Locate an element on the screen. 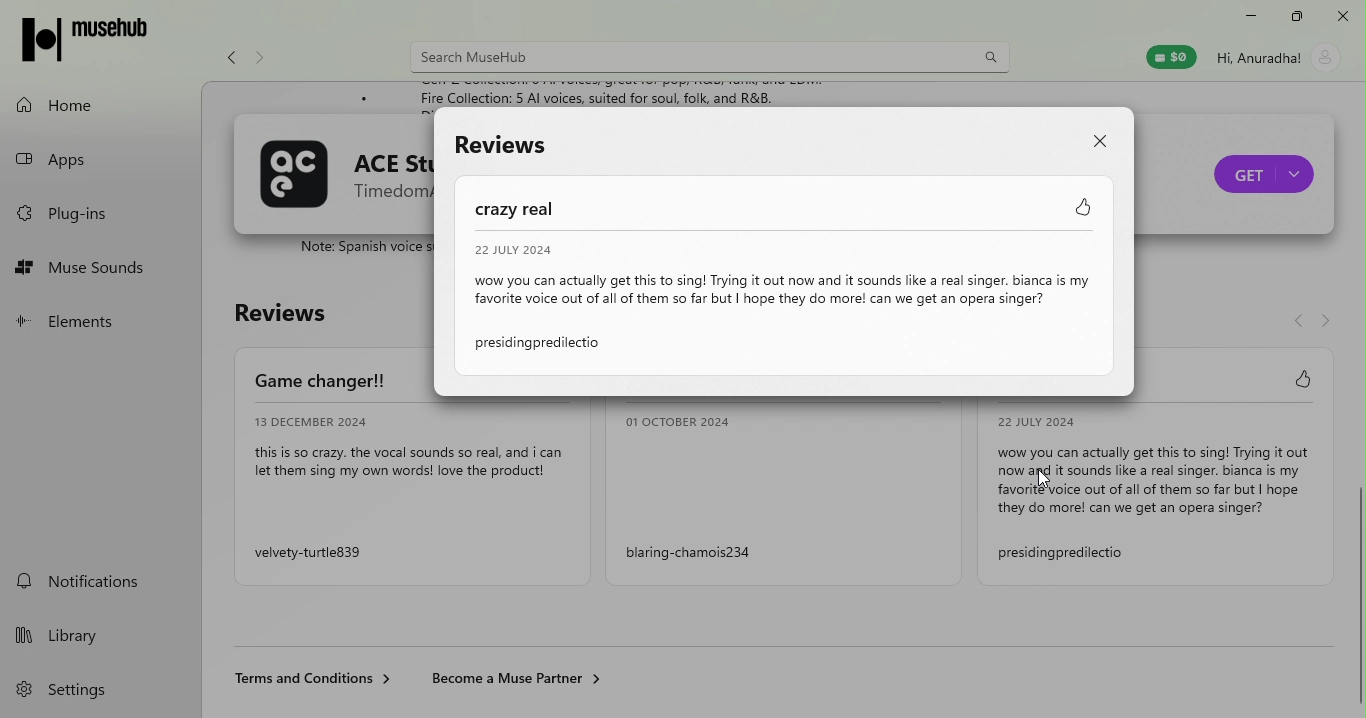  Navigate forward is located at coordinates (258, 53).